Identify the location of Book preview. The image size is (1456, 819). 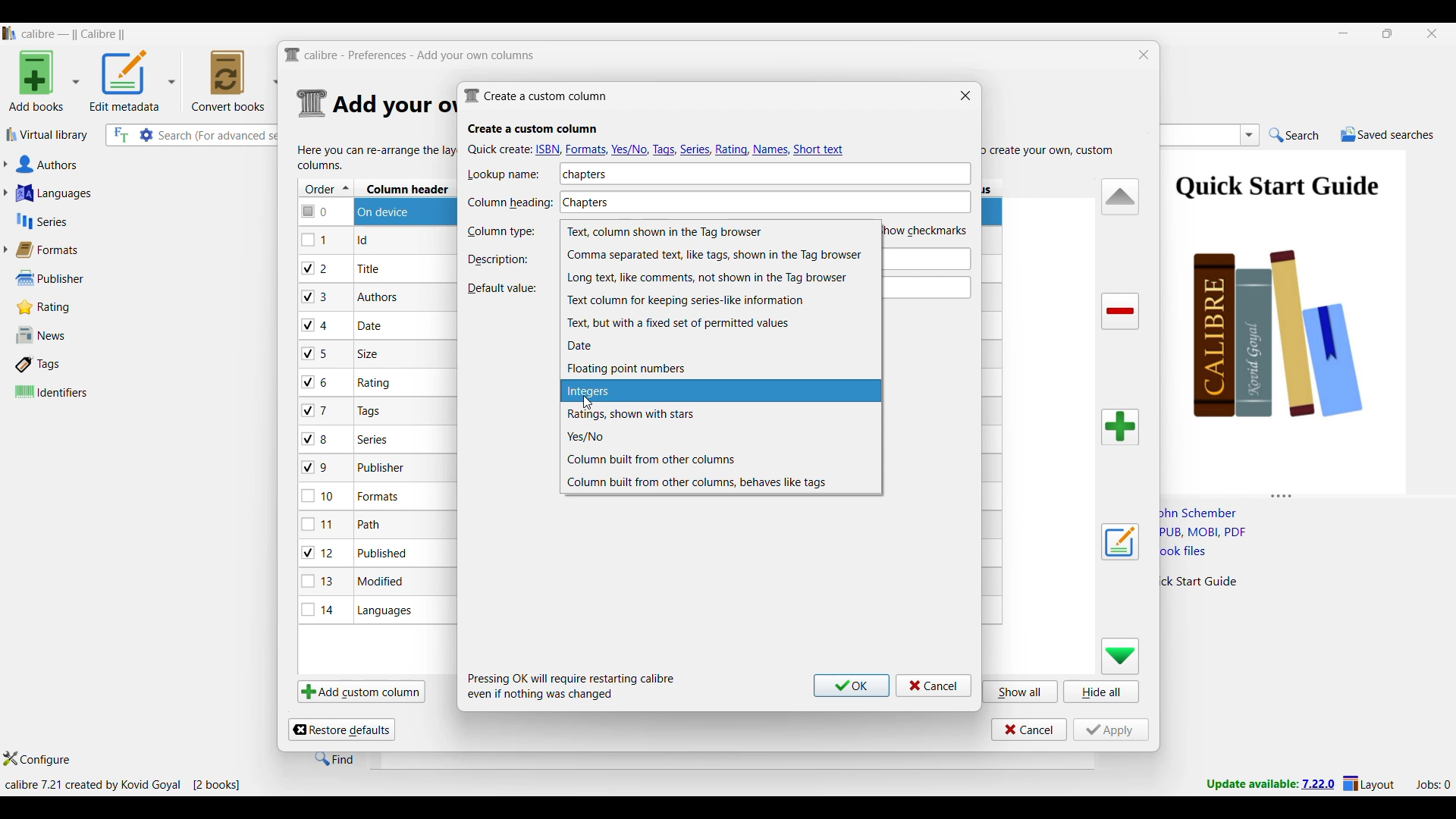
(1303, 316).